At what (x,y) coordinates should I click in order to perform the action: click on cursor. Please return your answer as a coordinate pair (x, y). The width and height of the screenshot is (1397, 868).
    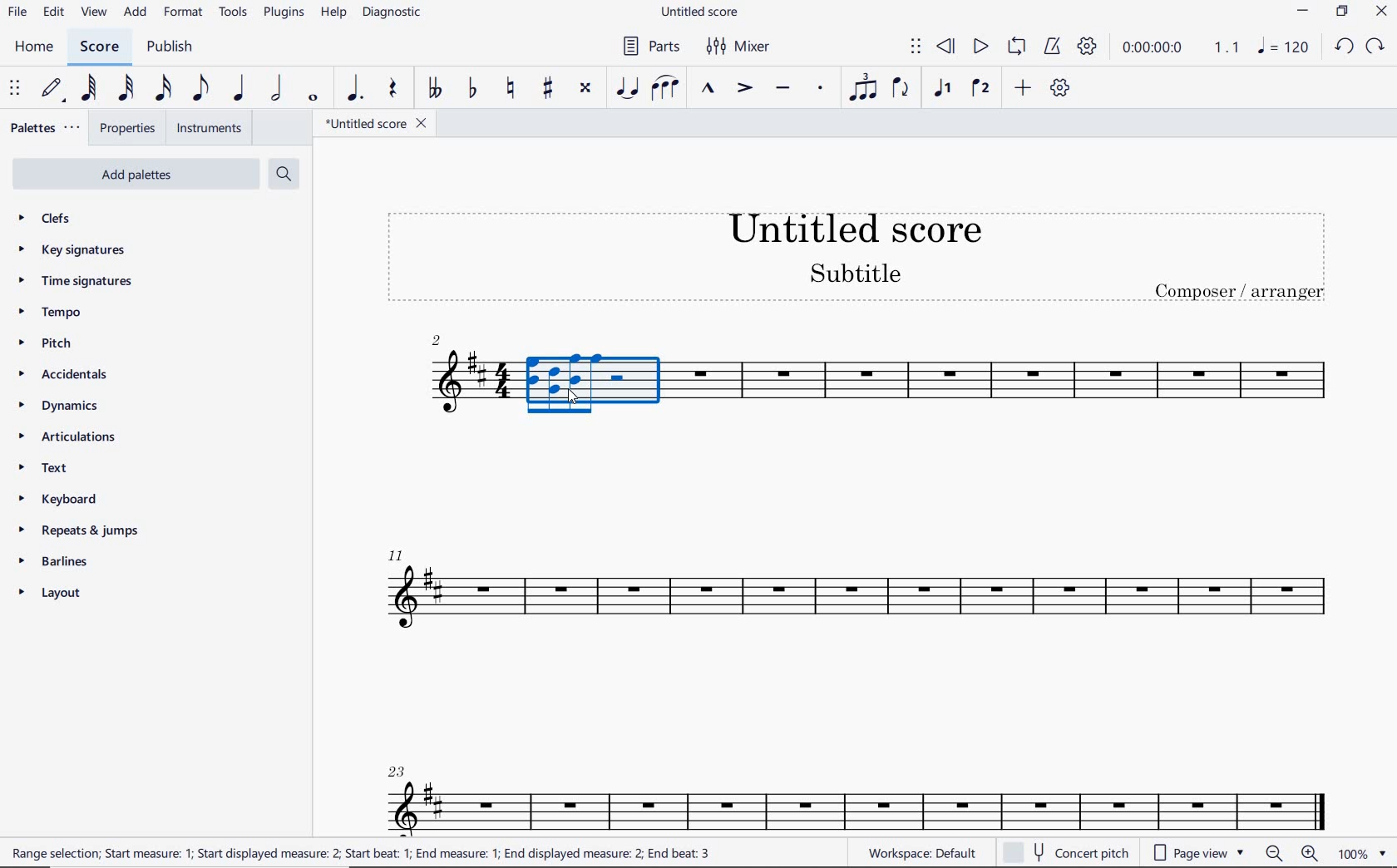
    Looking at the image, I should click on (572, 395).